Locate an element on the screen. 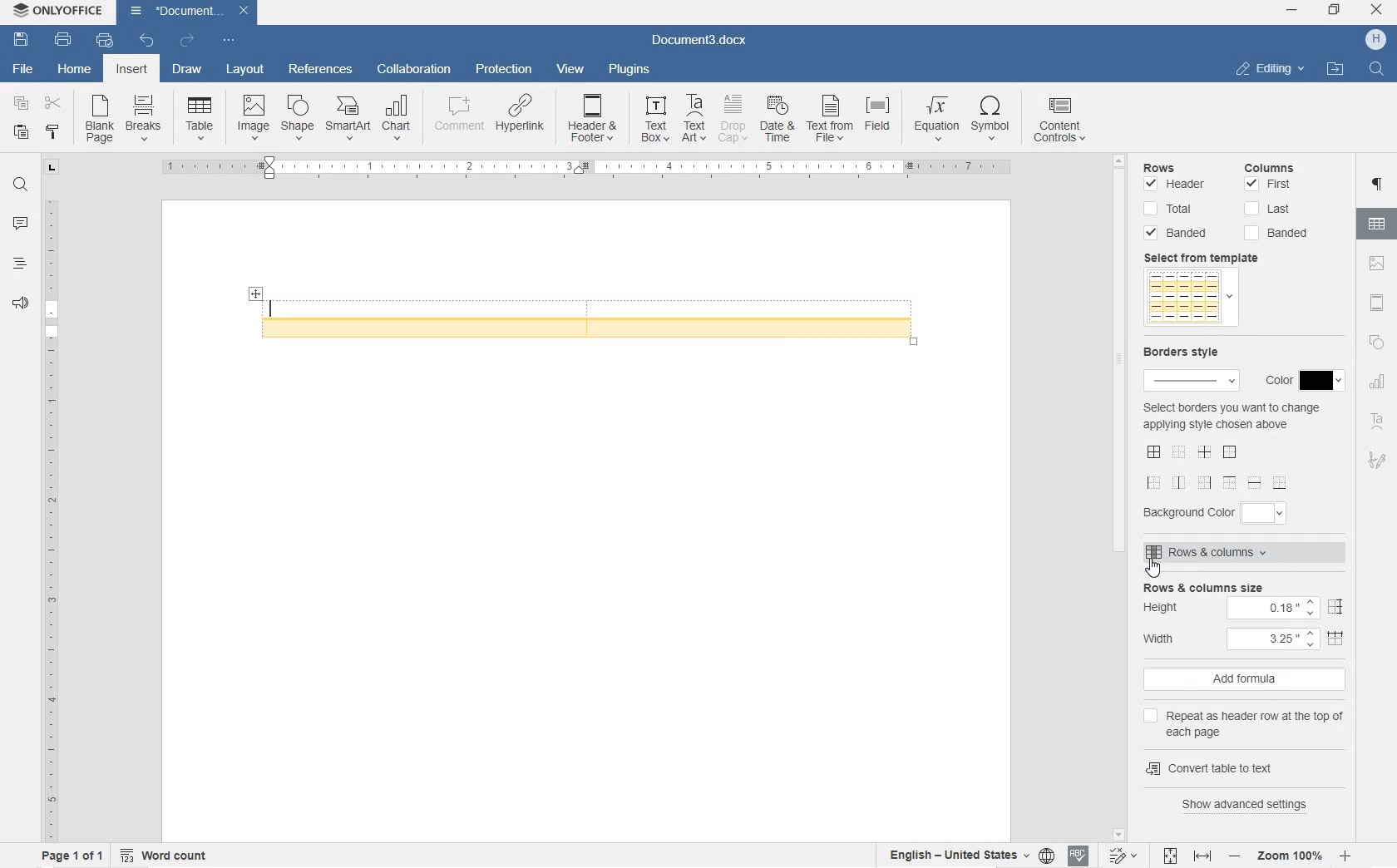 Image resolution: width=1397 pixels, height=868 pixels. Text from file is located at coordinates (831, 121).